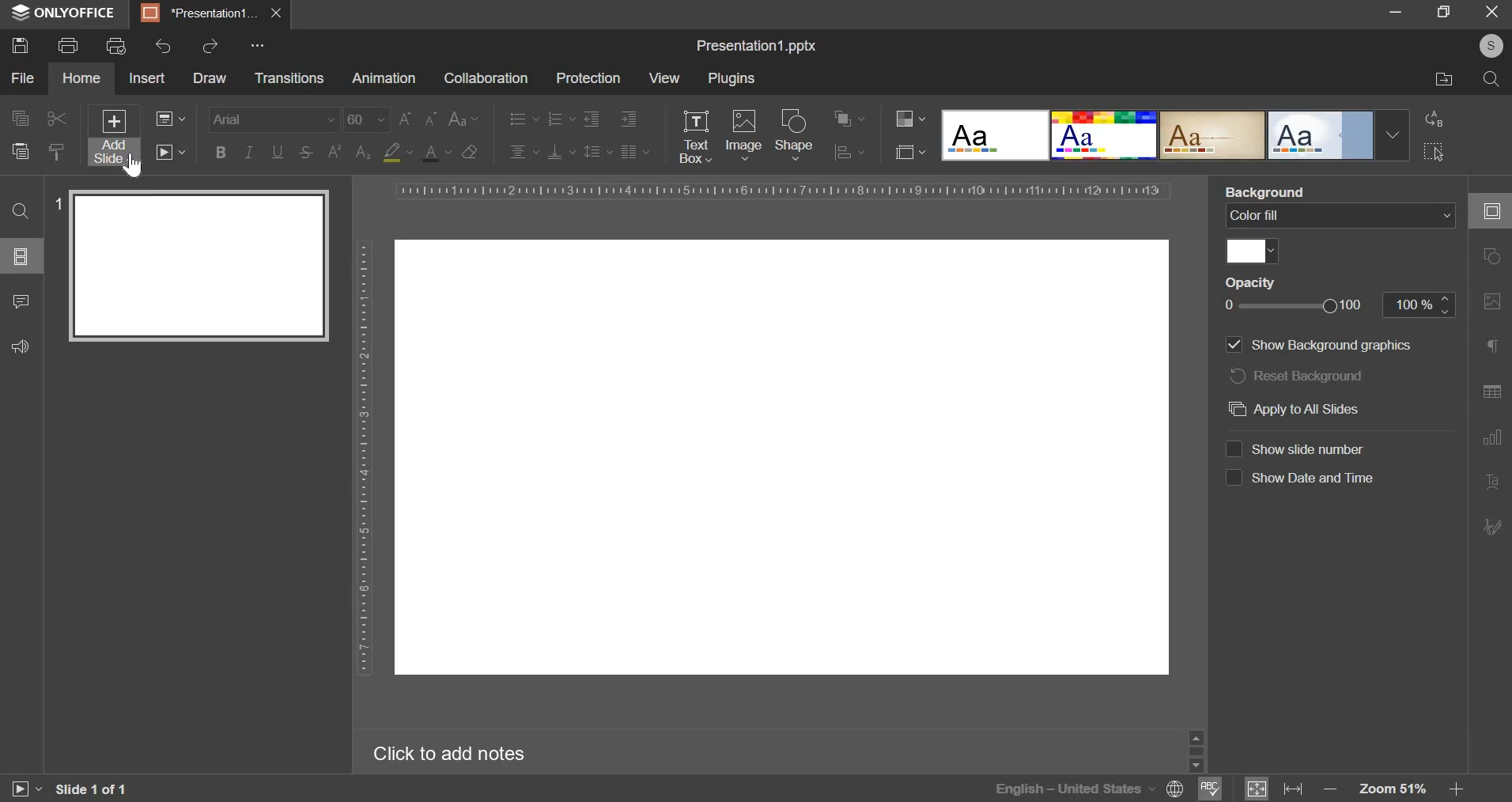 The image size is (1512, 802). Describe the element at coordinates (1195, 749) in the screenshot. I see `slider` at that location.